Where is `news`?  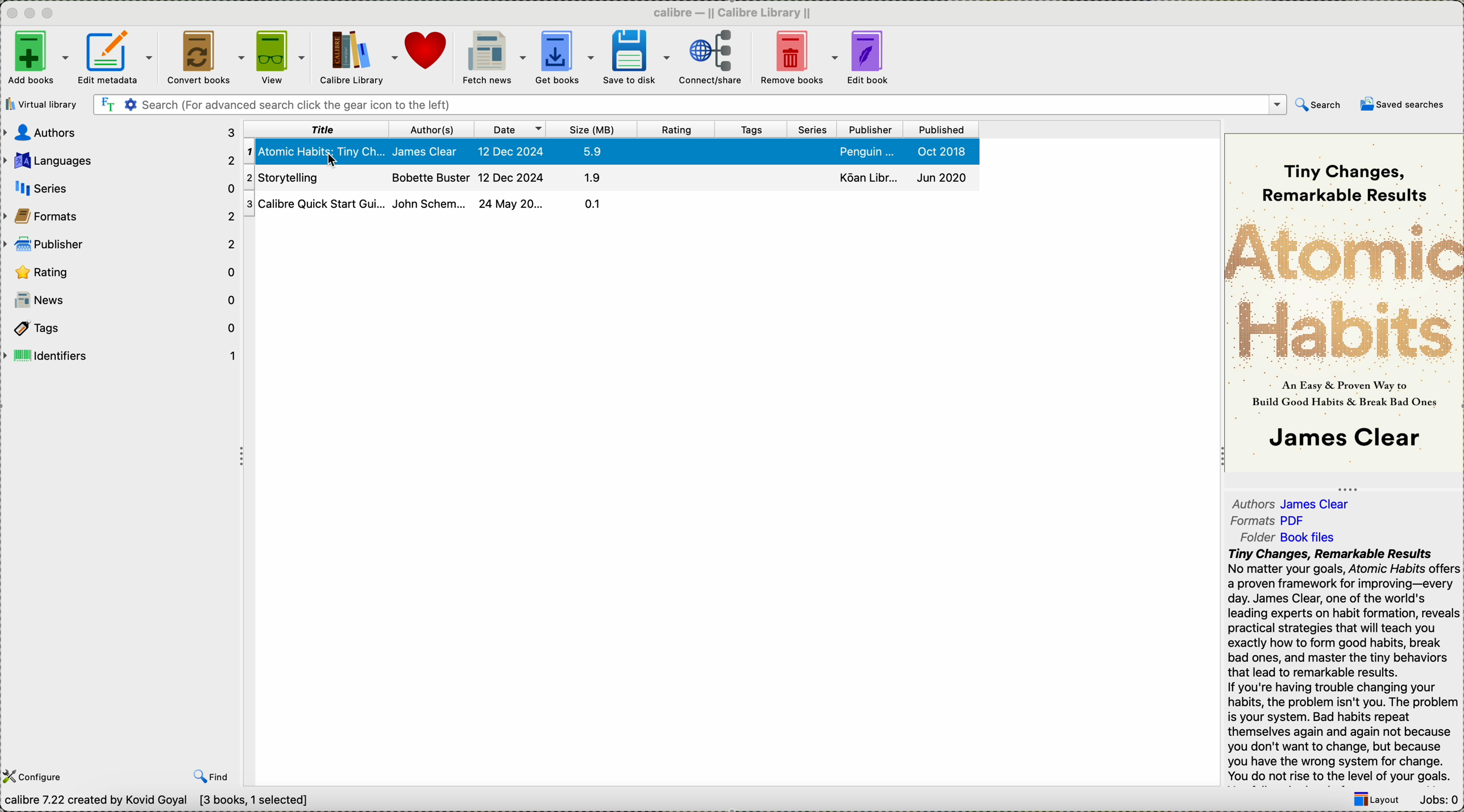
news is located at coordinates (121, 300).